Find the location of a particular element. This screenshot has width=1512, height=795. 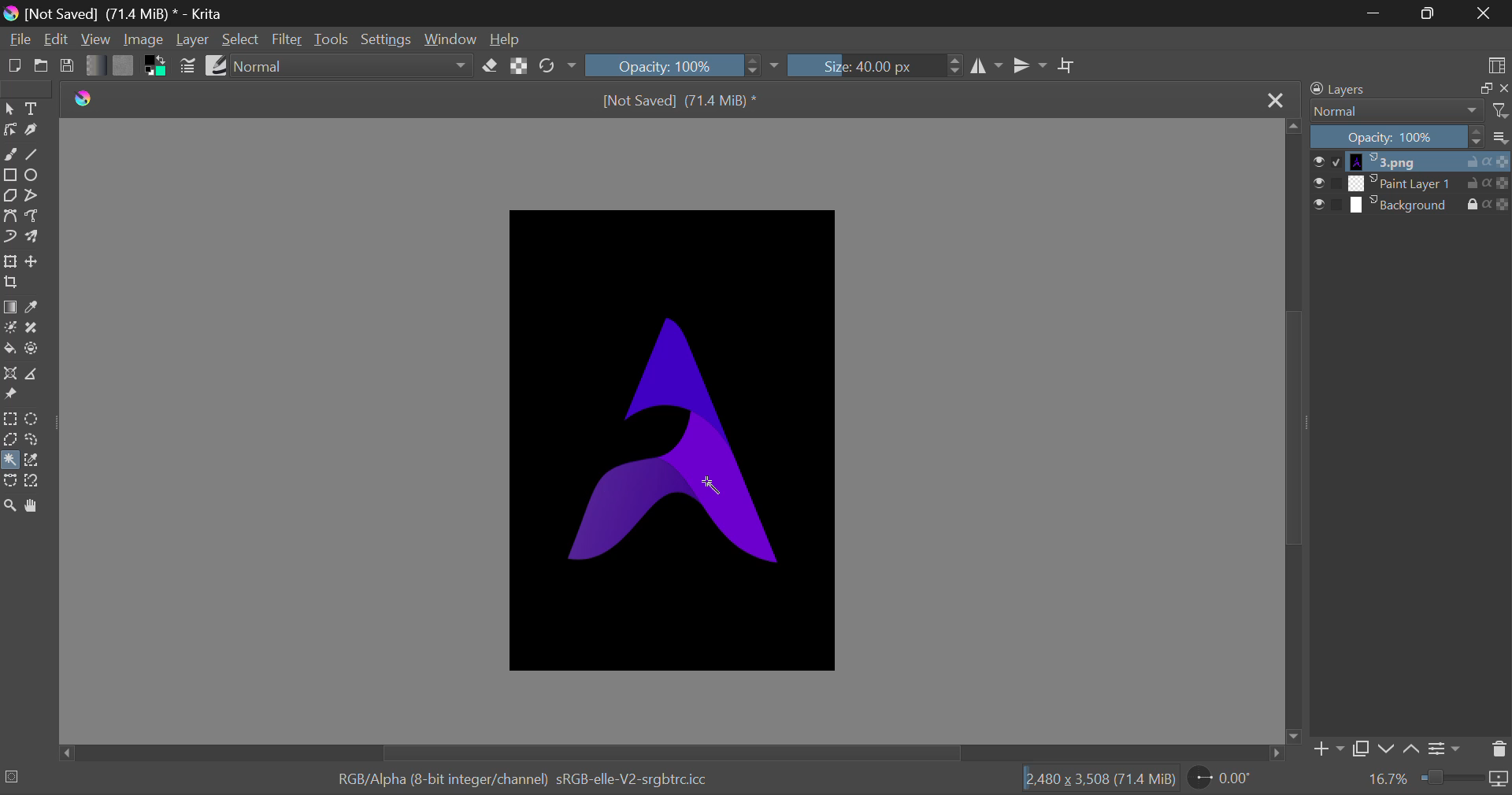

New is located at coordinates (14, 66).